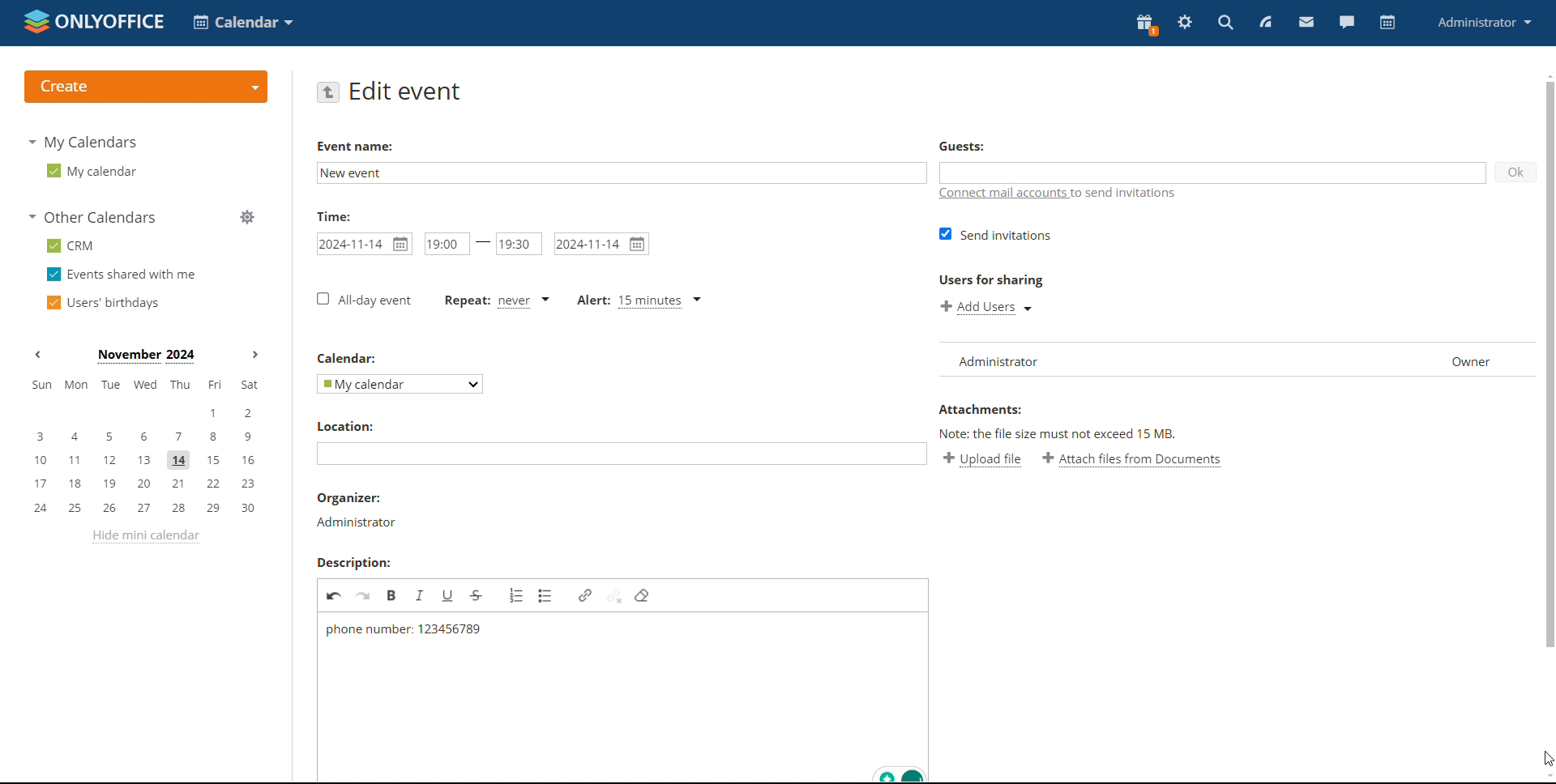  Describe the element at coordinates (253, 355) in the screenshot. I see `next months` at that location.